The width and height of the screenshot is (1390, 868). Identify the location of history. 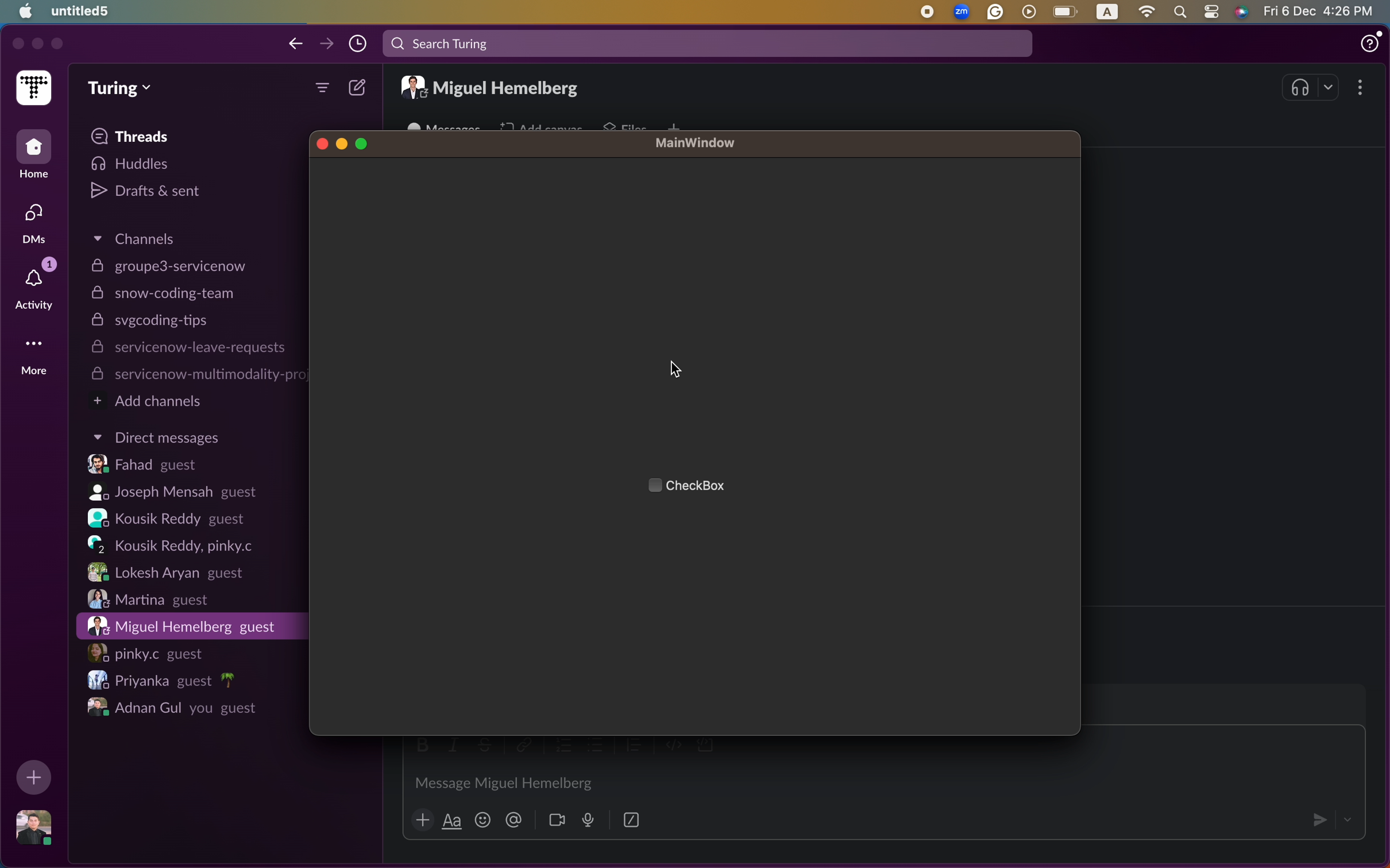
(358, 43).